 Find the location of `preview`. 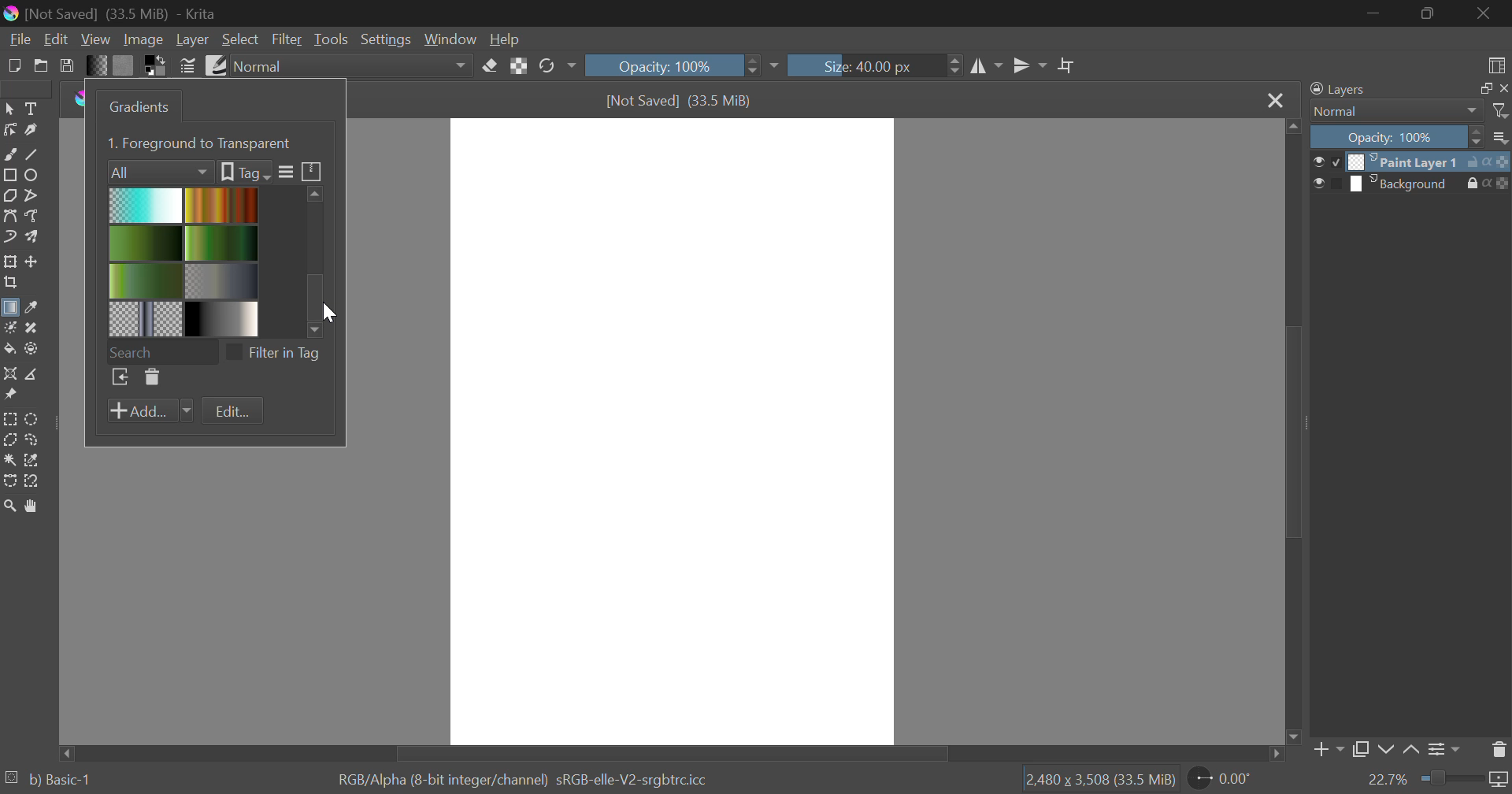

preview is located at coordinates (1329, 184).